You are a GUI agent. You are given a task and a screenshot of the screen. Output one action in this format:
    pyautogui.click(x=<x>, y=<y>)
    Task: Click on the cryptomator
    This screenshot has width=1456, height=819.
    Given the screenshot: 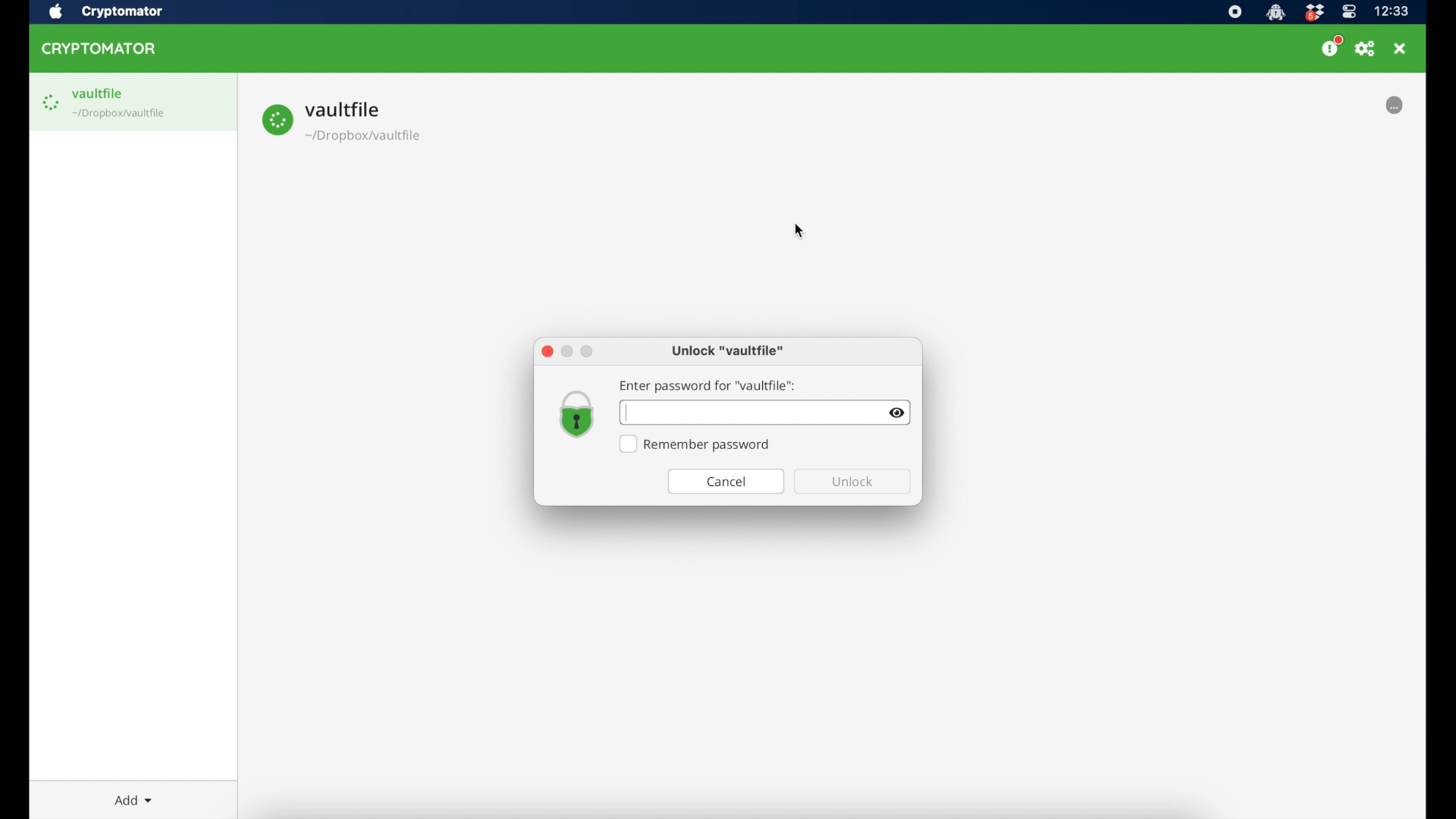 What is the action you would take?
    pyautogui.click(x=99, y=48)
    